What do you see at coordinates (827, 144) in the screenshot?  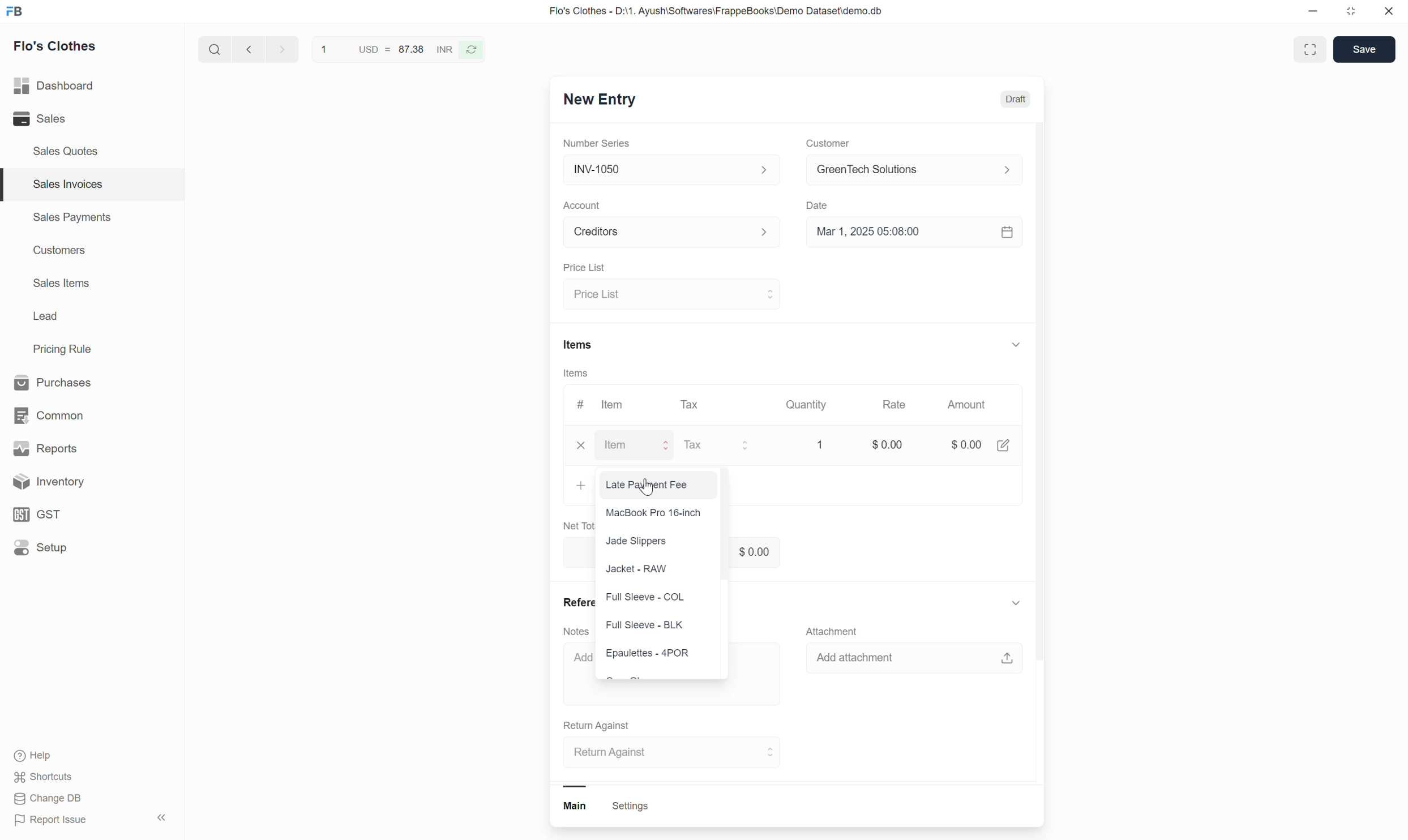 I see `Customer` at bounding box center [827, 144].